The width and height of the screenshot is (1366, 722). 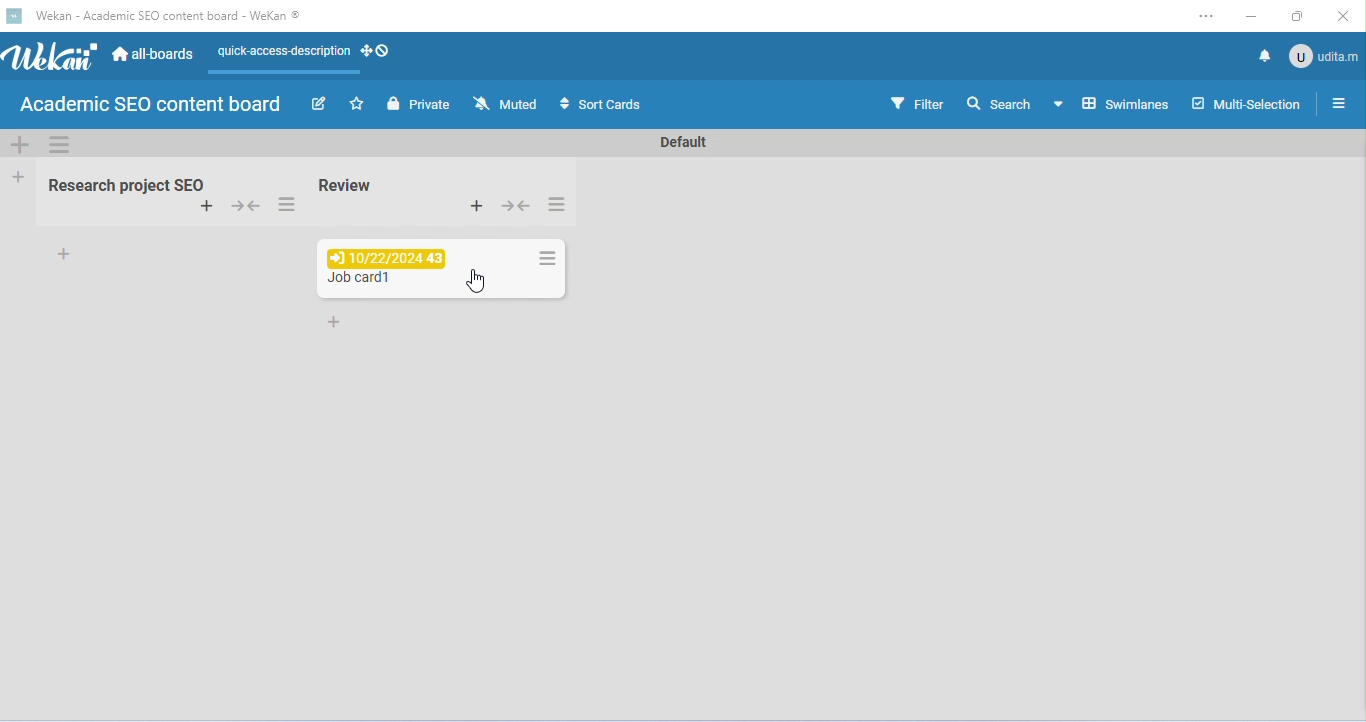 What do you see at coordinates (67, 253) in the screenshot?
I see `add card to bottom of list` at bounding box center [67, 253].